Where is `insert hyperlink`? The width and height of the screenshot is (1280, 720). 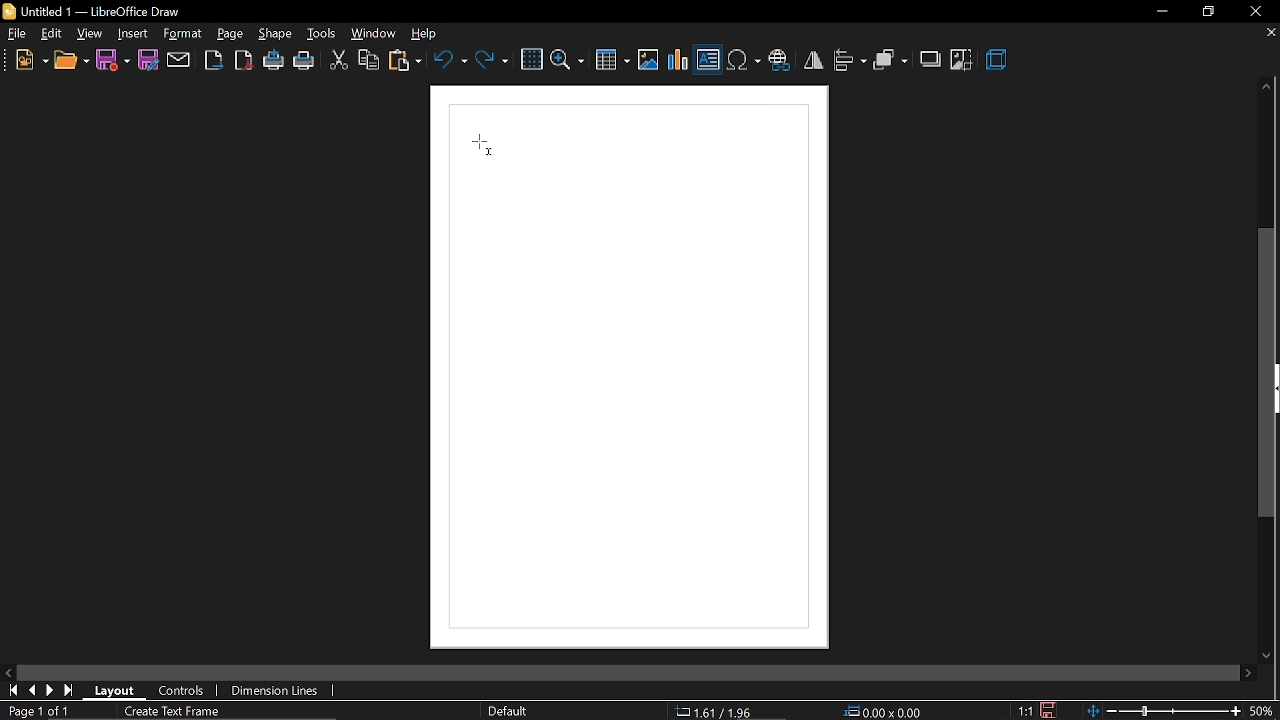
insert hyperlink is located at coordinates (779, 62).